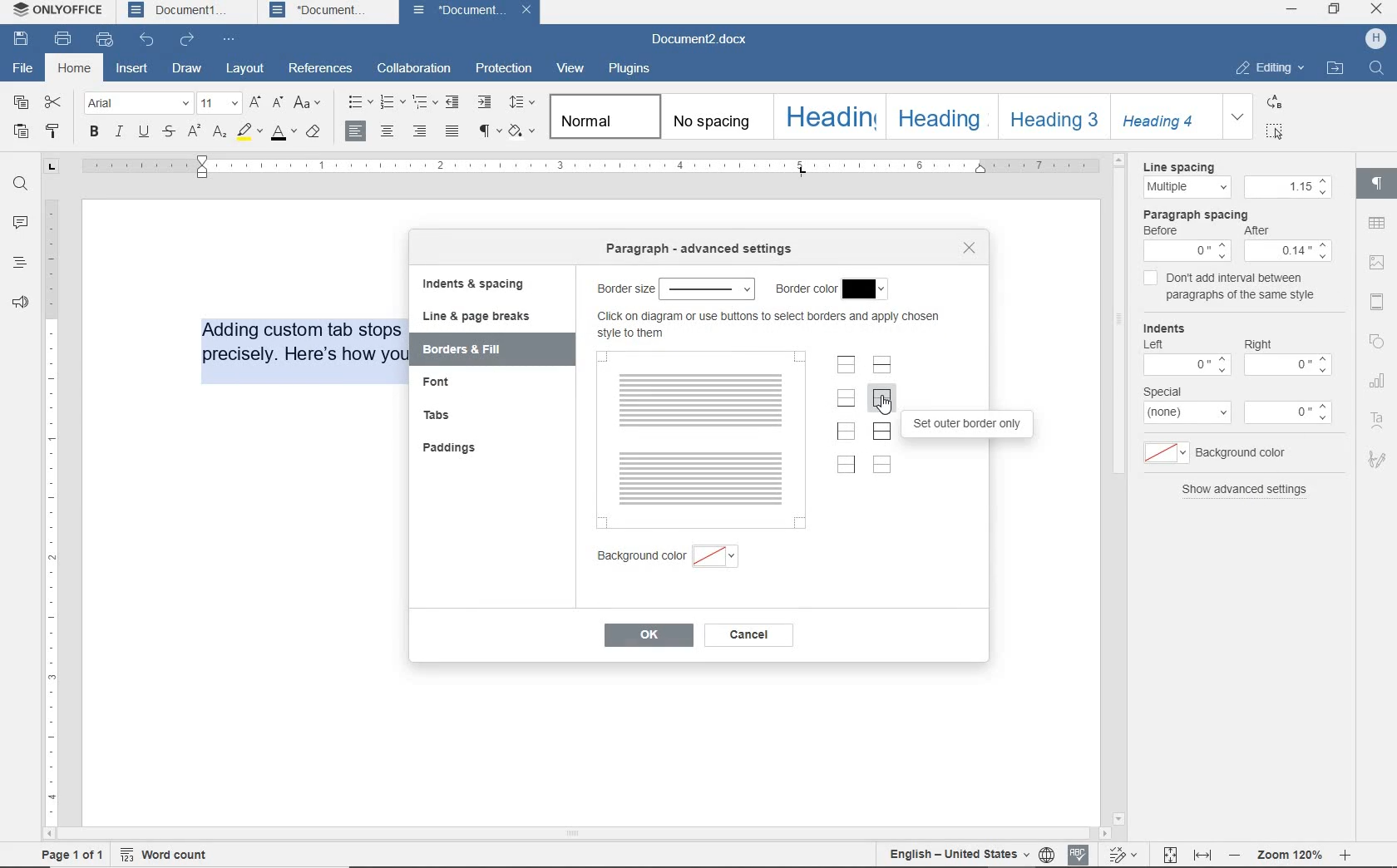  What do you see at coordinates (105, 40) in the screenshot?
I see `quick print` at bounding box center [105, 40].